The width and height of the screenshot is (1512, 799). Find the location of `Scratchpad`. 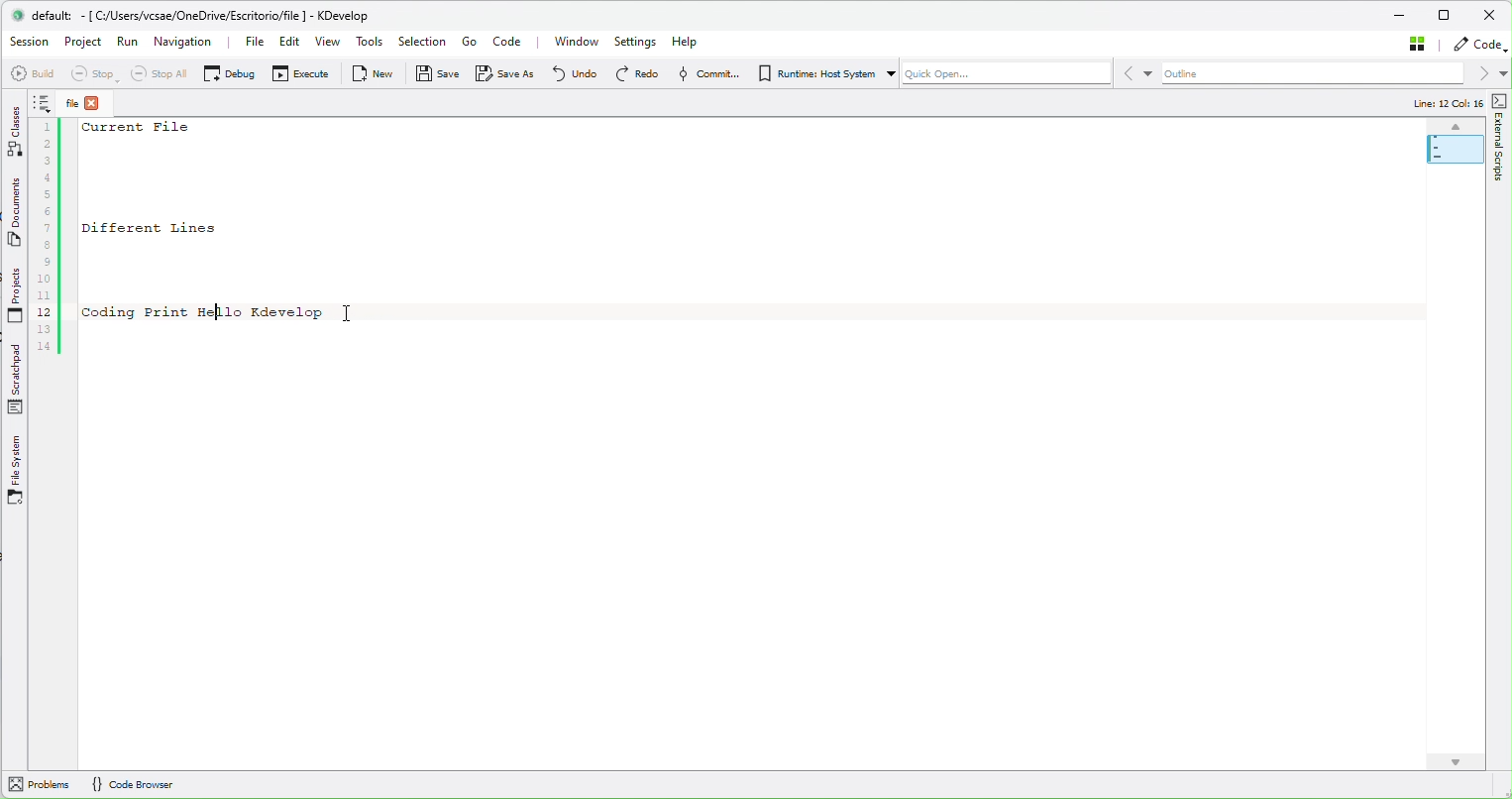

Scratchpad is located at coordinates (15, 379).